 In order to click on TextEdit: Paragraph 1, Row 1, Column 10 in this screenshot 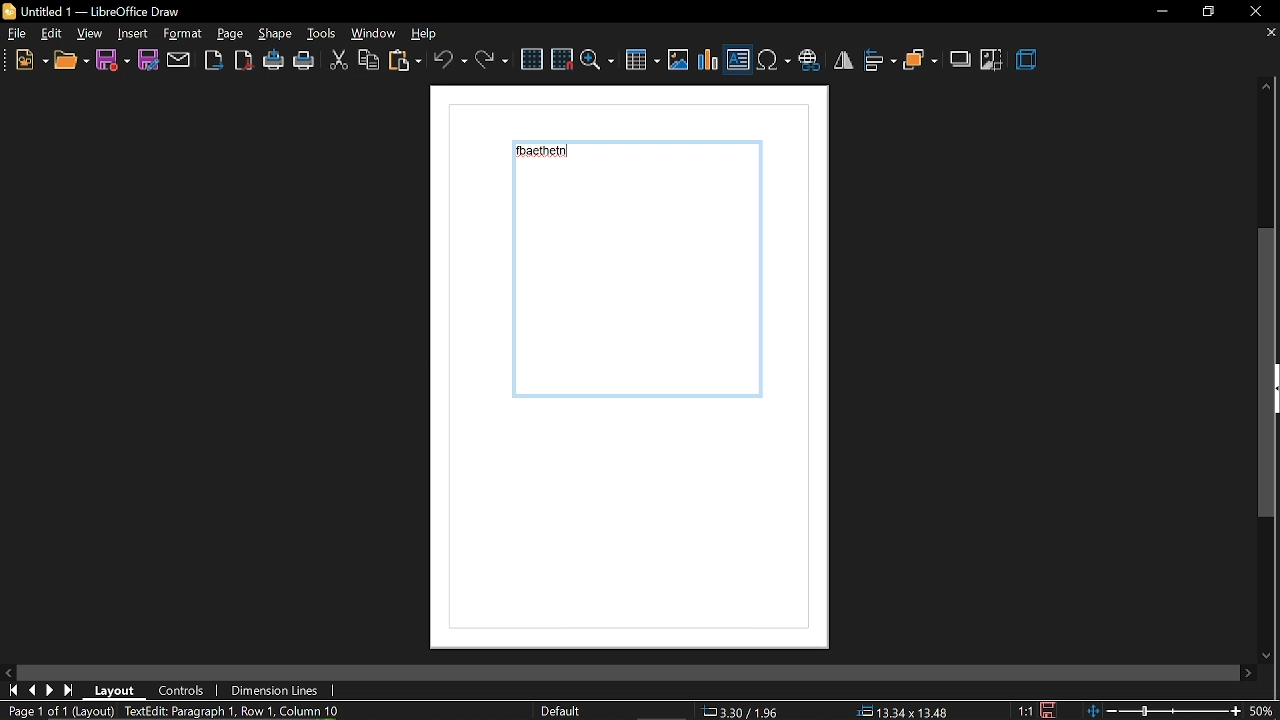, I will do `click(232, 711)`.